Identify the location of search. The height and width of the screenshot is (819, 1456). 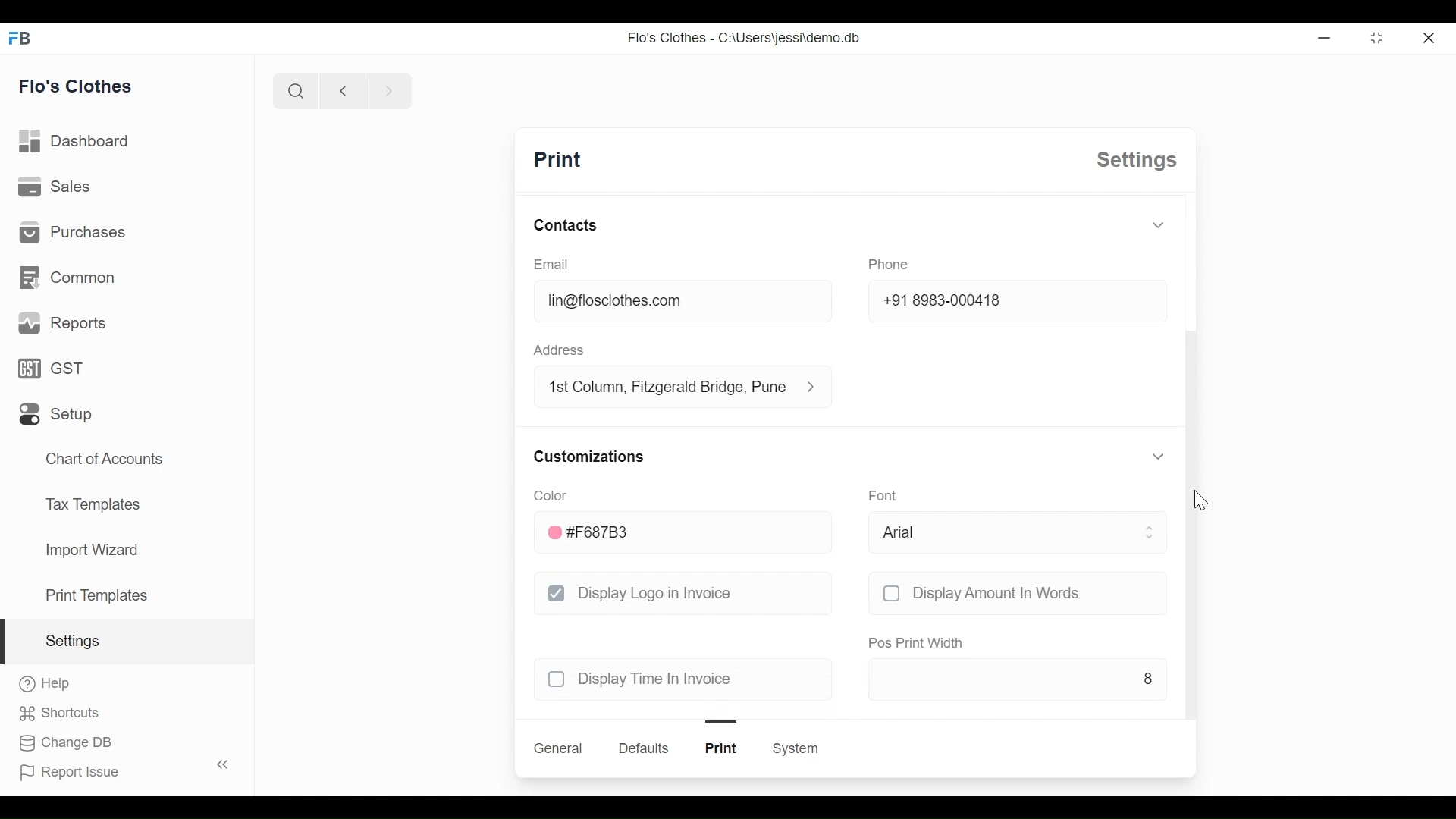
(295, 90).